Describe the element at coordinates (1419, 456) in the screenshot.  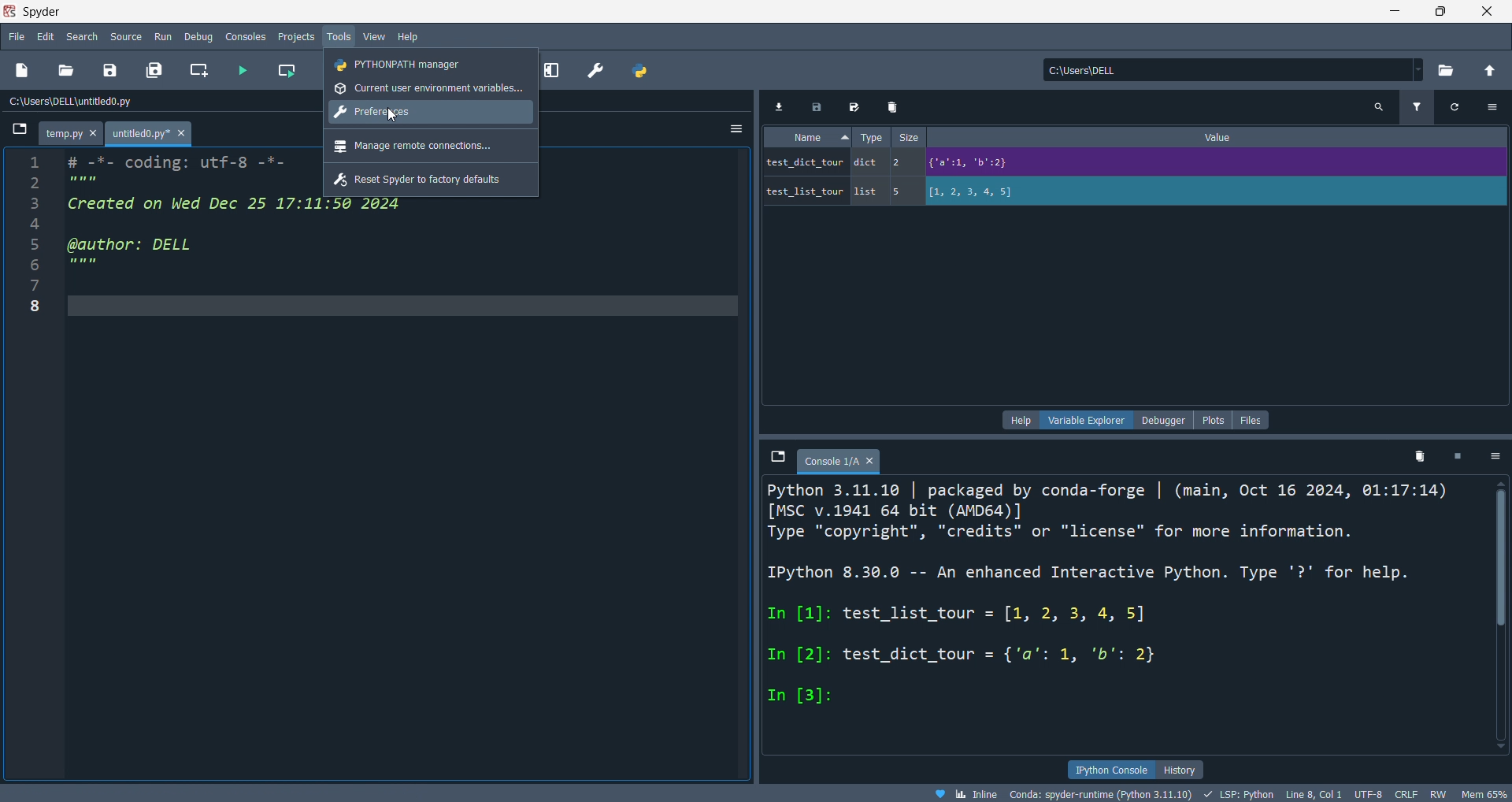
I see `delete variables` at that location.